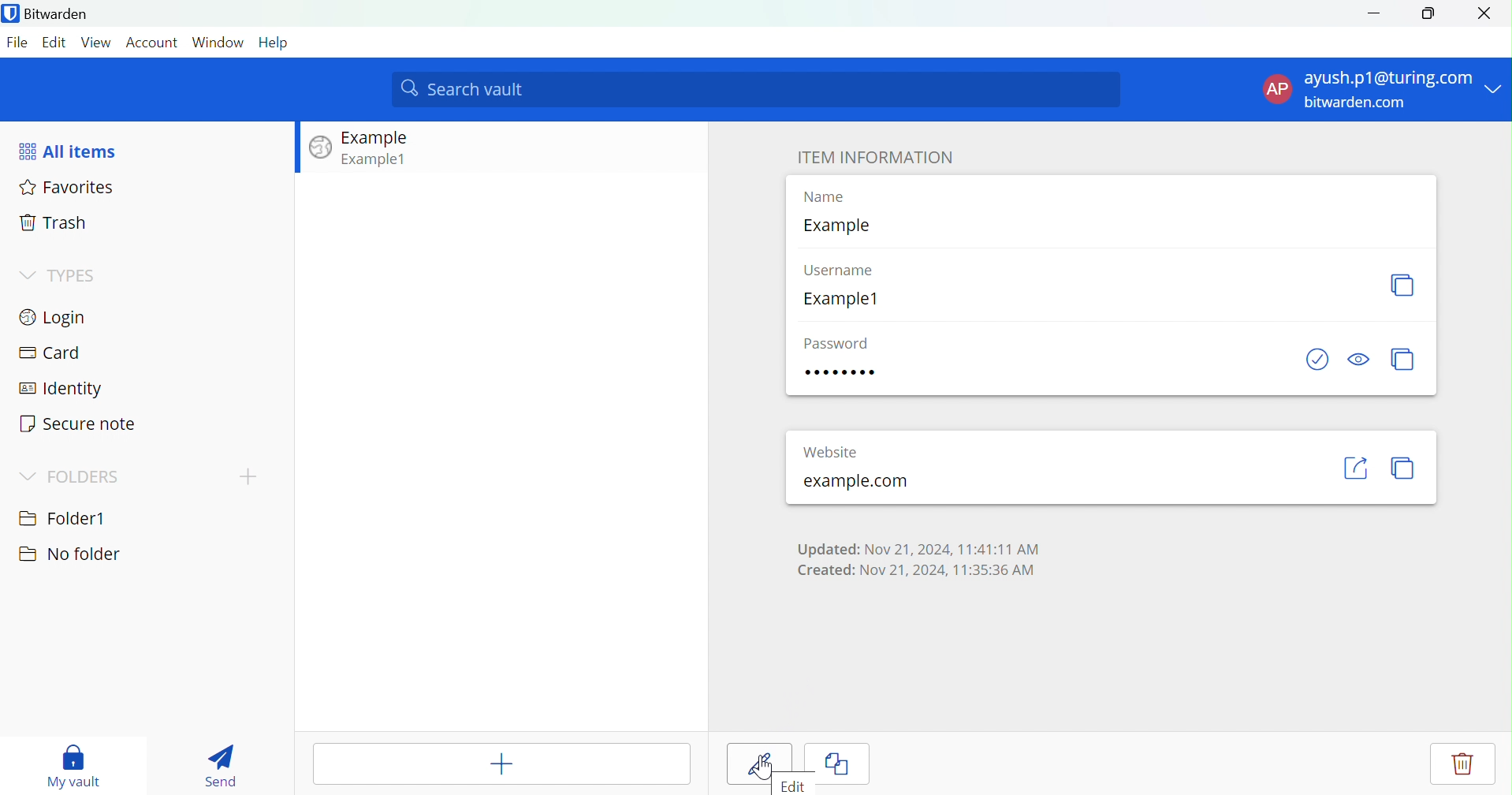 Image resolution: width=1512 pixels, height=795 pixels. I want to click on Help, so click(275, 42).